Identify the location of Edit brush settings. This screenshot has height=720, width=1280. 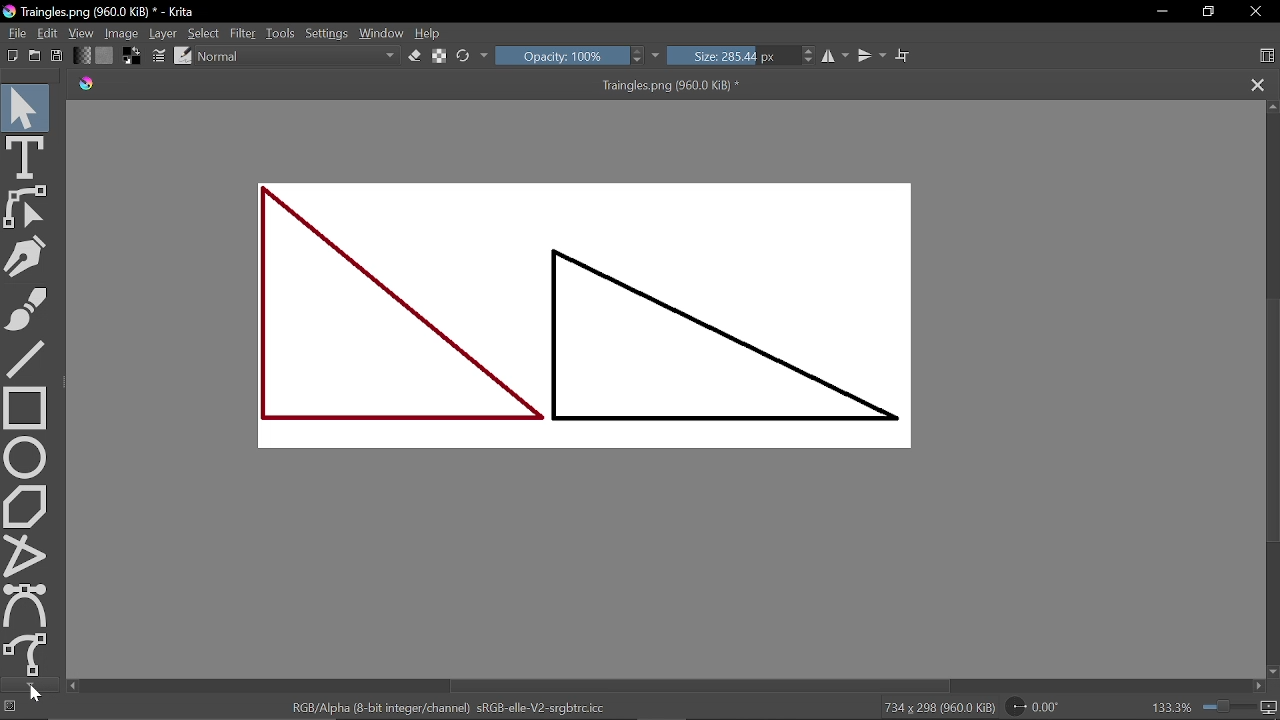
(160, 56).